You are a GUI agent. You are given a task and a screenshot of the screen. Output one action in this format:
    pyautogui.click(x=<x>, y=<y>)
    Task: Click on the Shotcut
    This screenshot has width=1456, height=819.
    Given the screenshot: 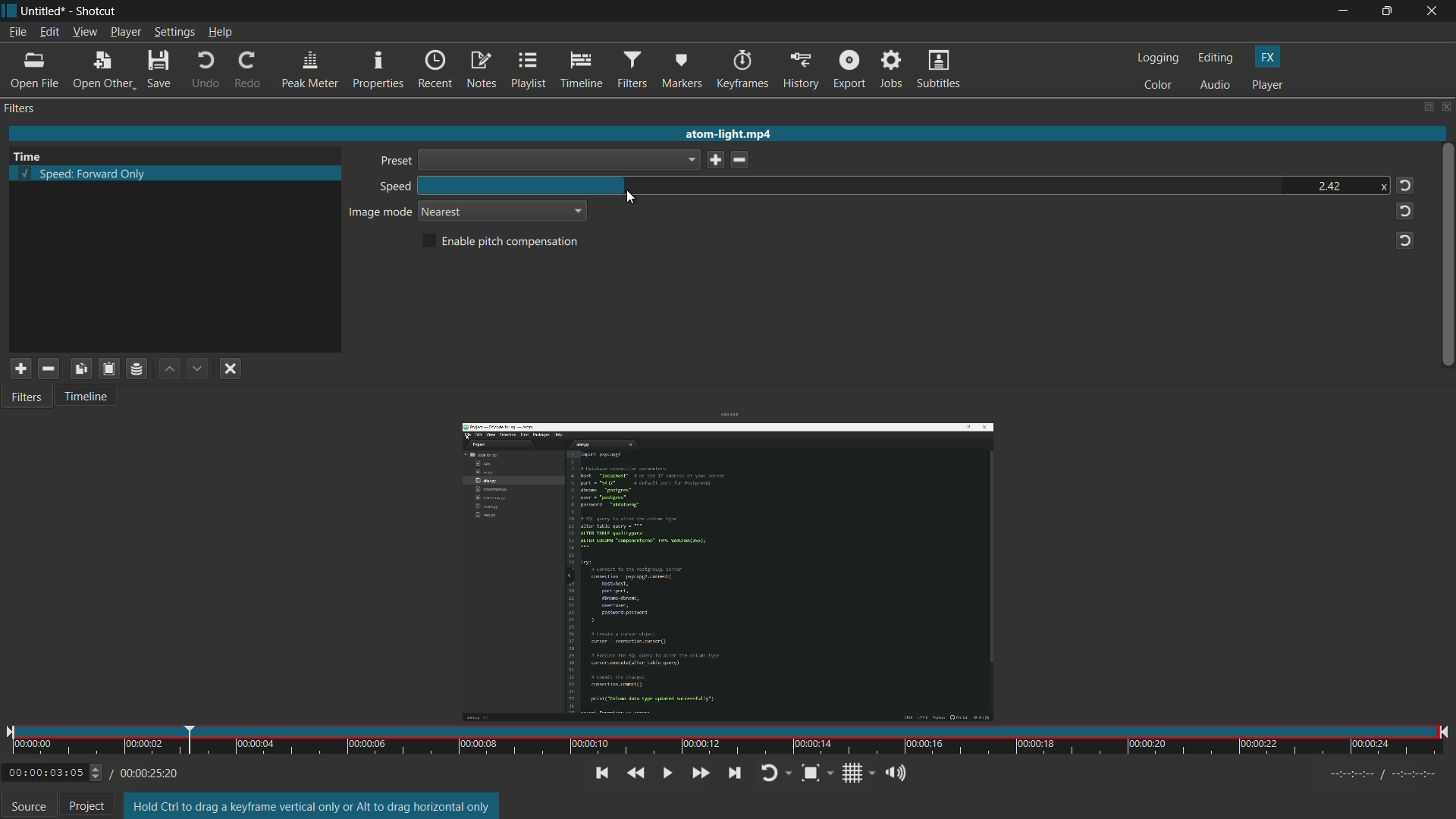 What is the action you would take?
    pyautogui.click(x=98, y=11)
    